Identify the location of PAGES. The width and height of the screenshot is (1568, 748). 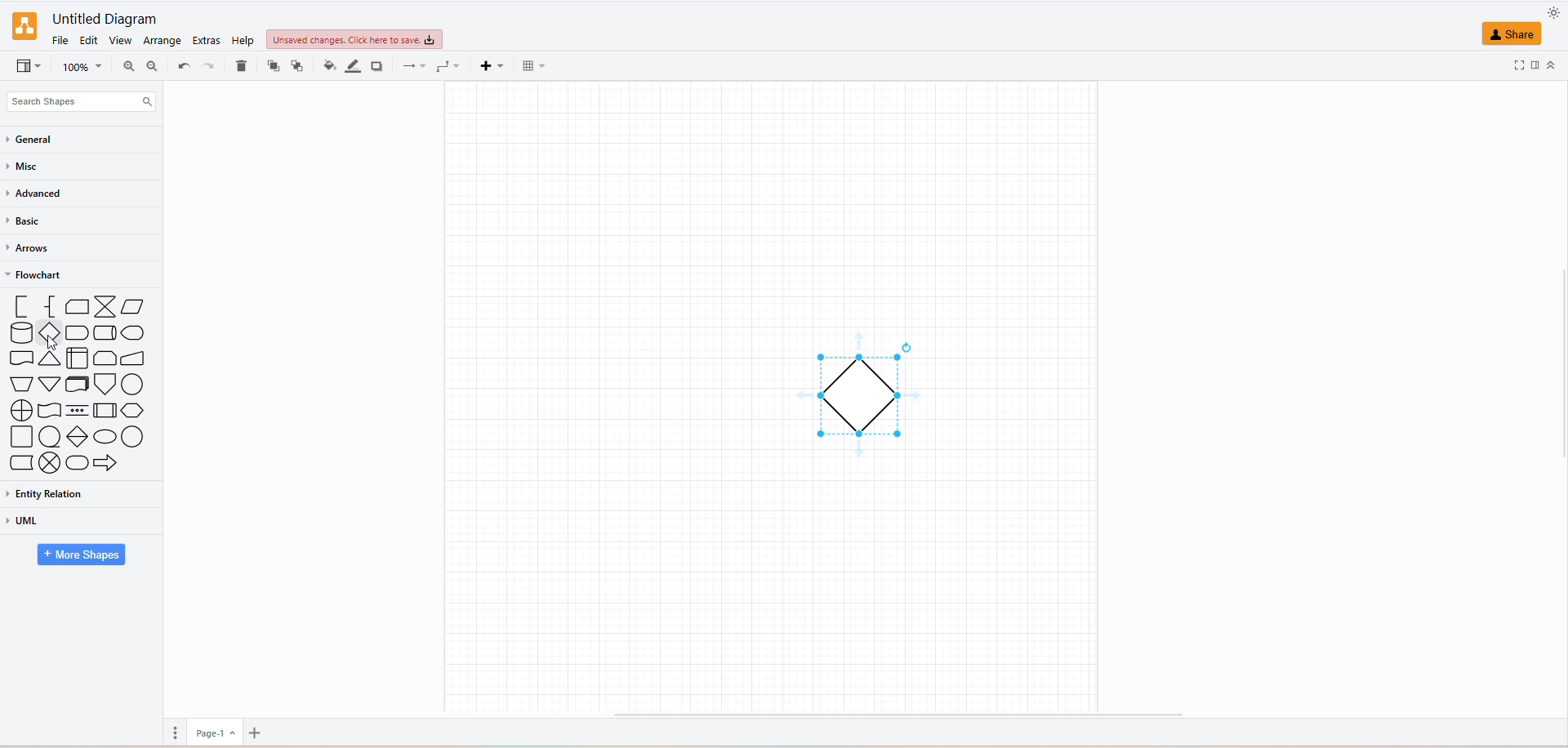
(171, 732).